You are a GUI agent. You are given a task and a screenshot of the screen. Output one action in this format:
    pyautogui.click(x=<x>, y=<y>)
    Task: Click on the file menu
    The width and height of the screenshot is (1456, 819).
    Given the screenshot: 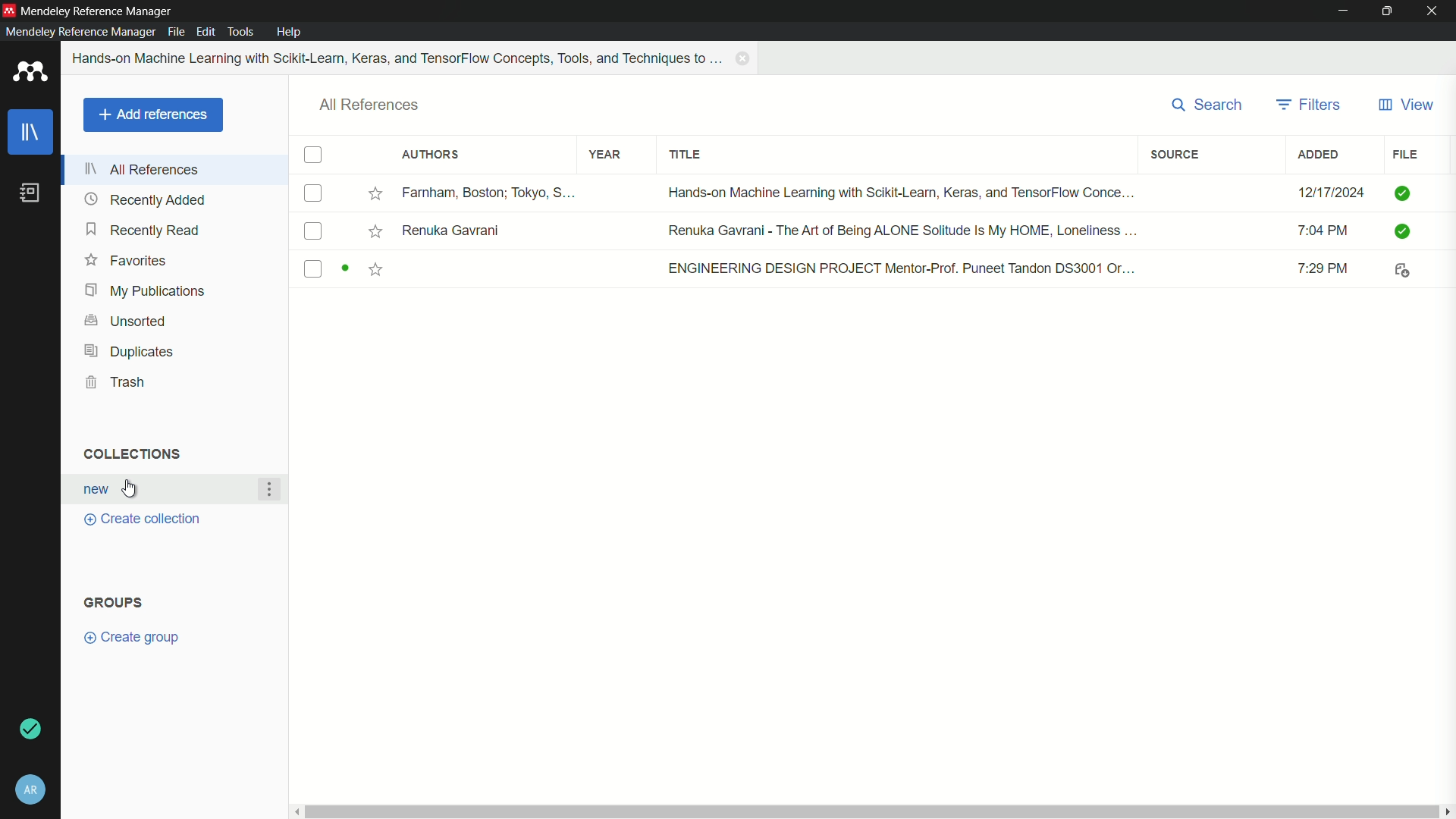 What is the action you would take?
    pyautogui.click(x=176, y=31)
    